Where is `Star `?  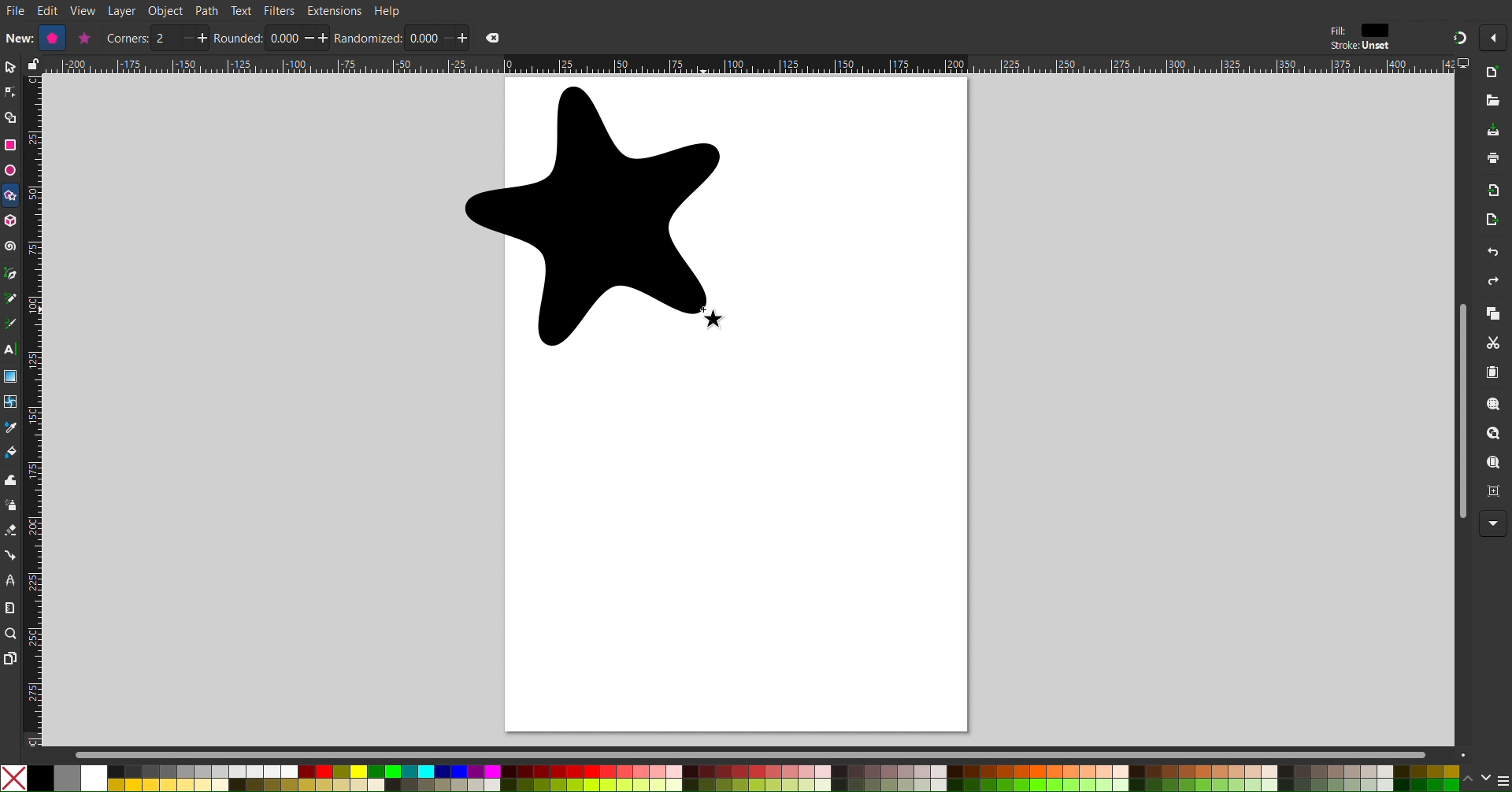 Star  is located at coordinates (594, 217).